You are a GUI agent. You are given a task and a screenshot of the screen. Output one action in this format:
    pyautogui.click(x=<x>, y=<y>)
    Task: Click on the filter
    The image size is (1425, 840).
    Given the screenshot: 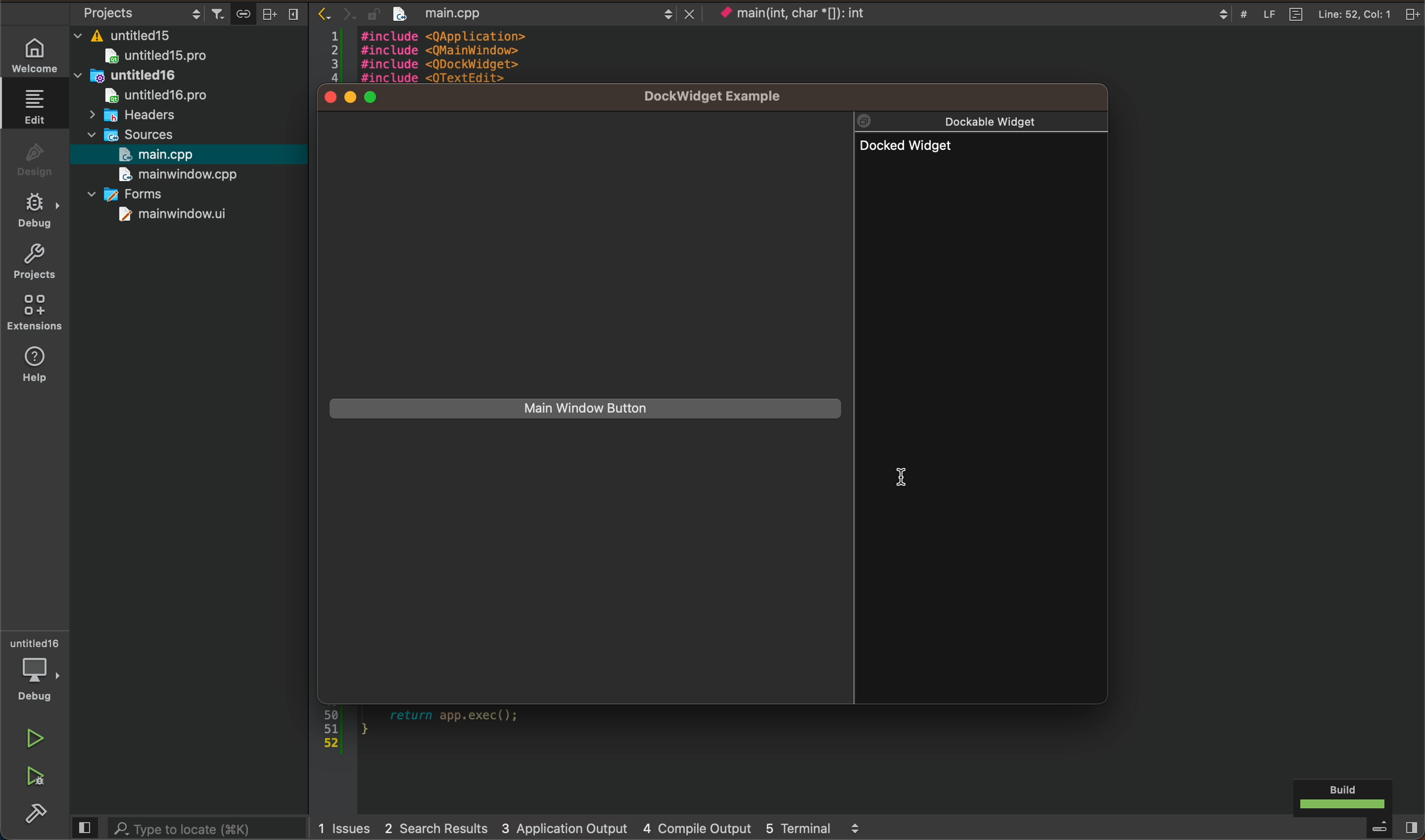 What is the action you would take?
    pyautogui.click(x=220, y=11)
    